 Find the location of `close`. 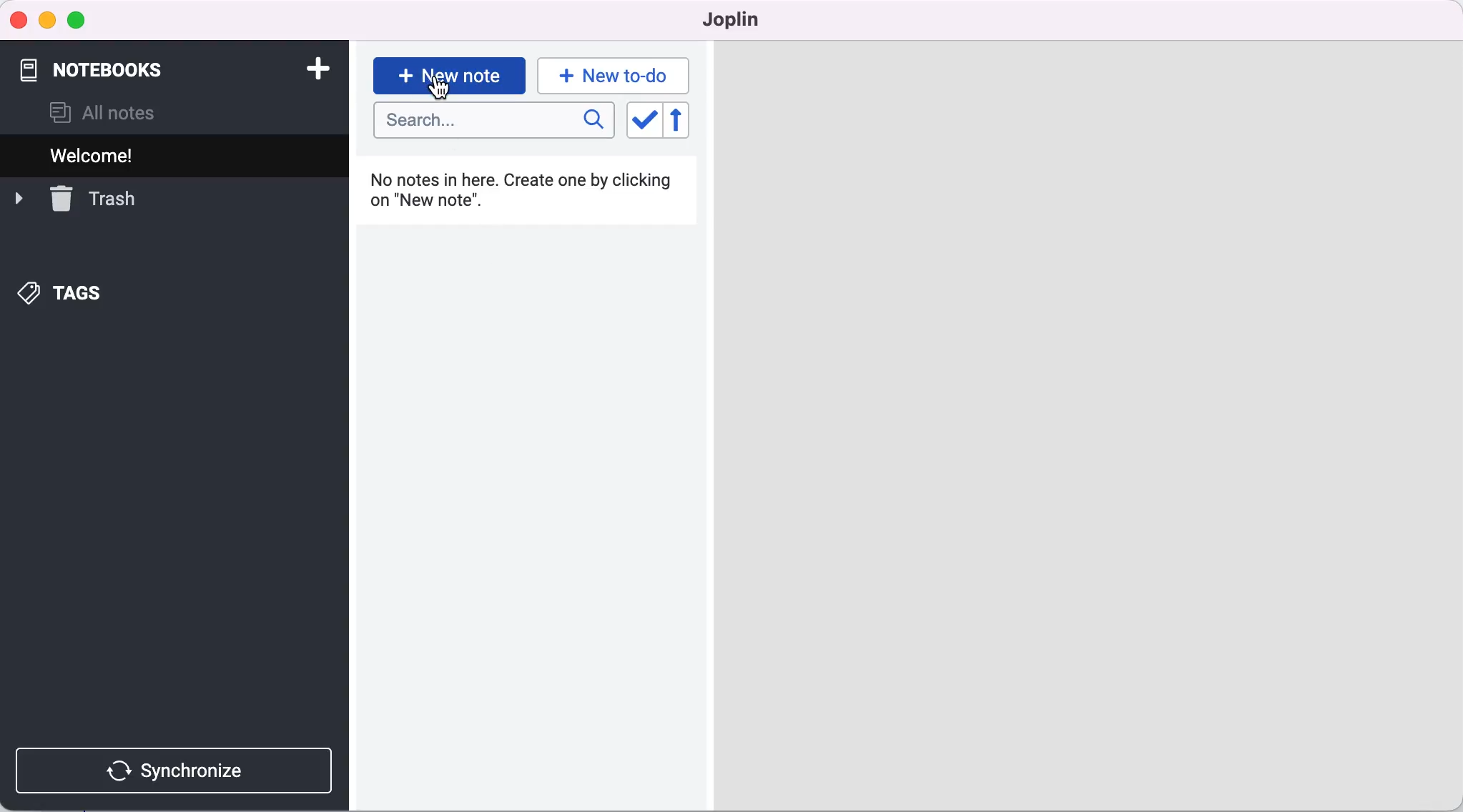

close is located at coordinates (19, 19).